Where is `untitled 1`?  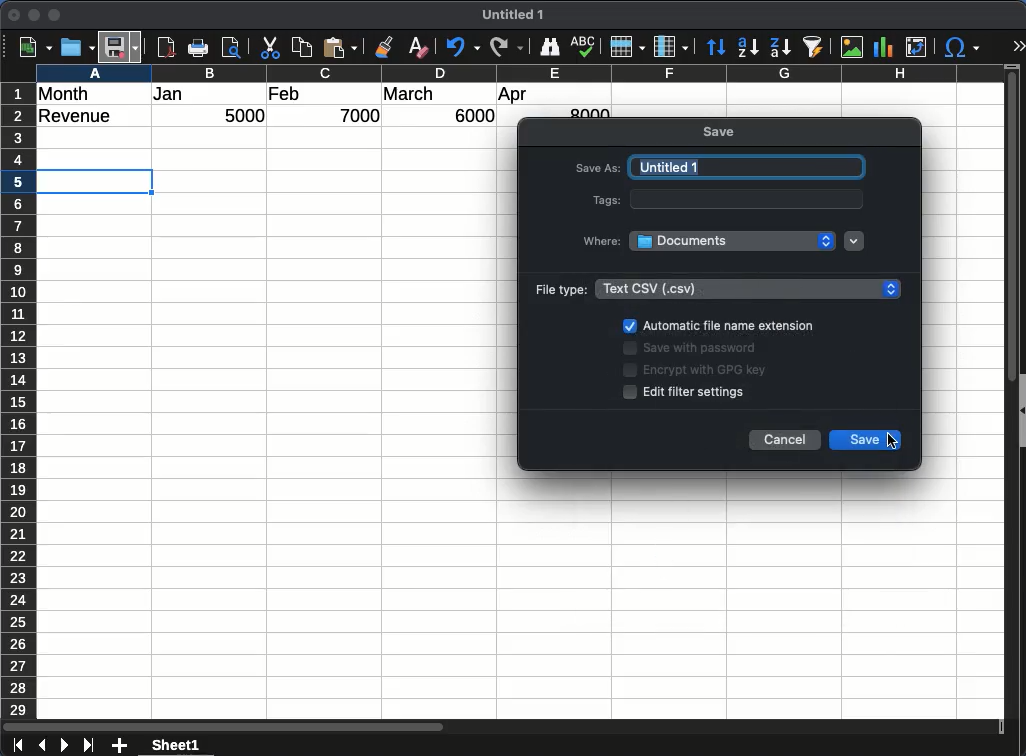 untitled 1 is located at coordinates (746, 167).